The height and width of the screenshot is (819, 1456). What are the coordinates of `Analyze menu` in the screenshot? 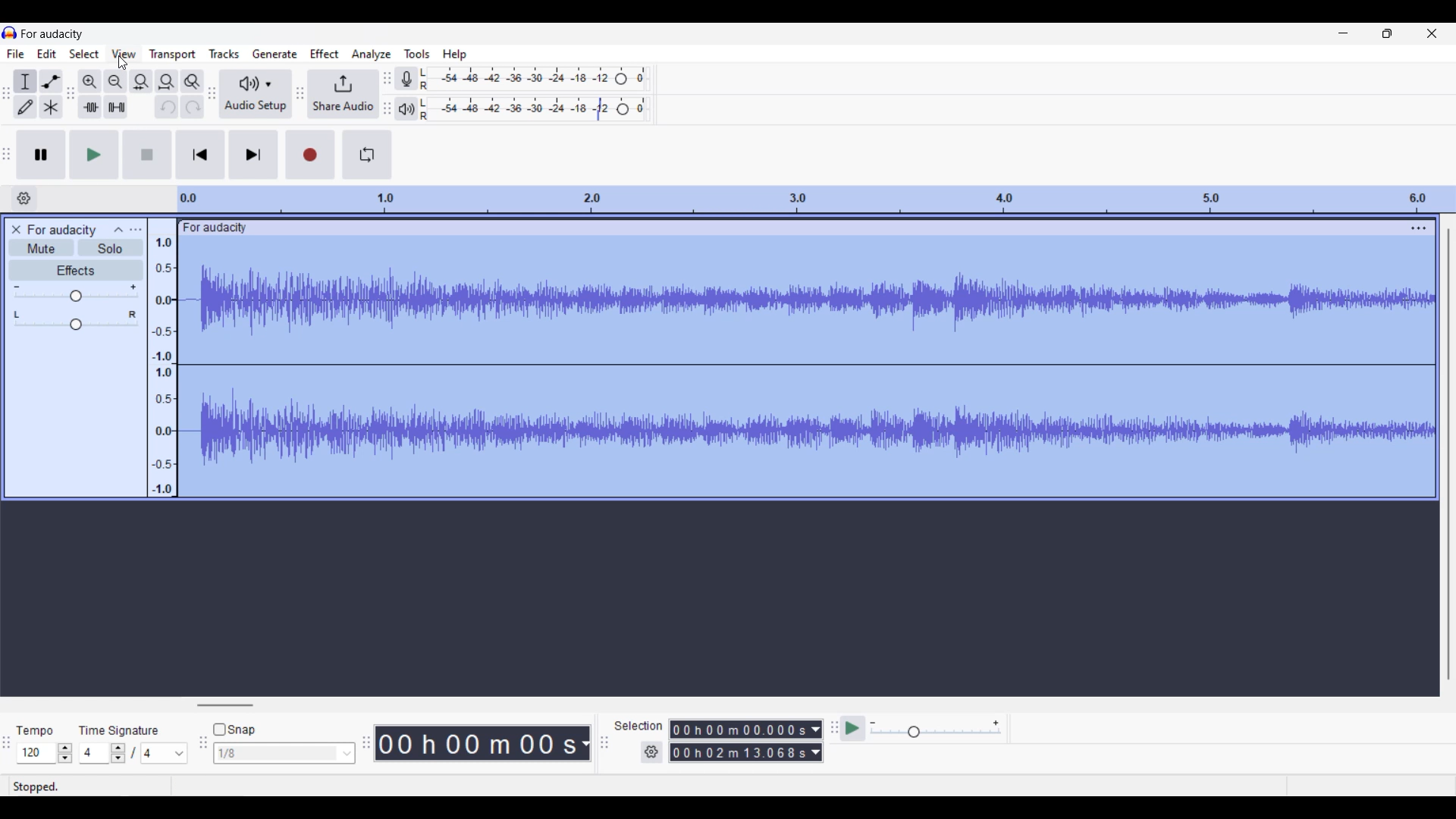 It's located at (372, 55).